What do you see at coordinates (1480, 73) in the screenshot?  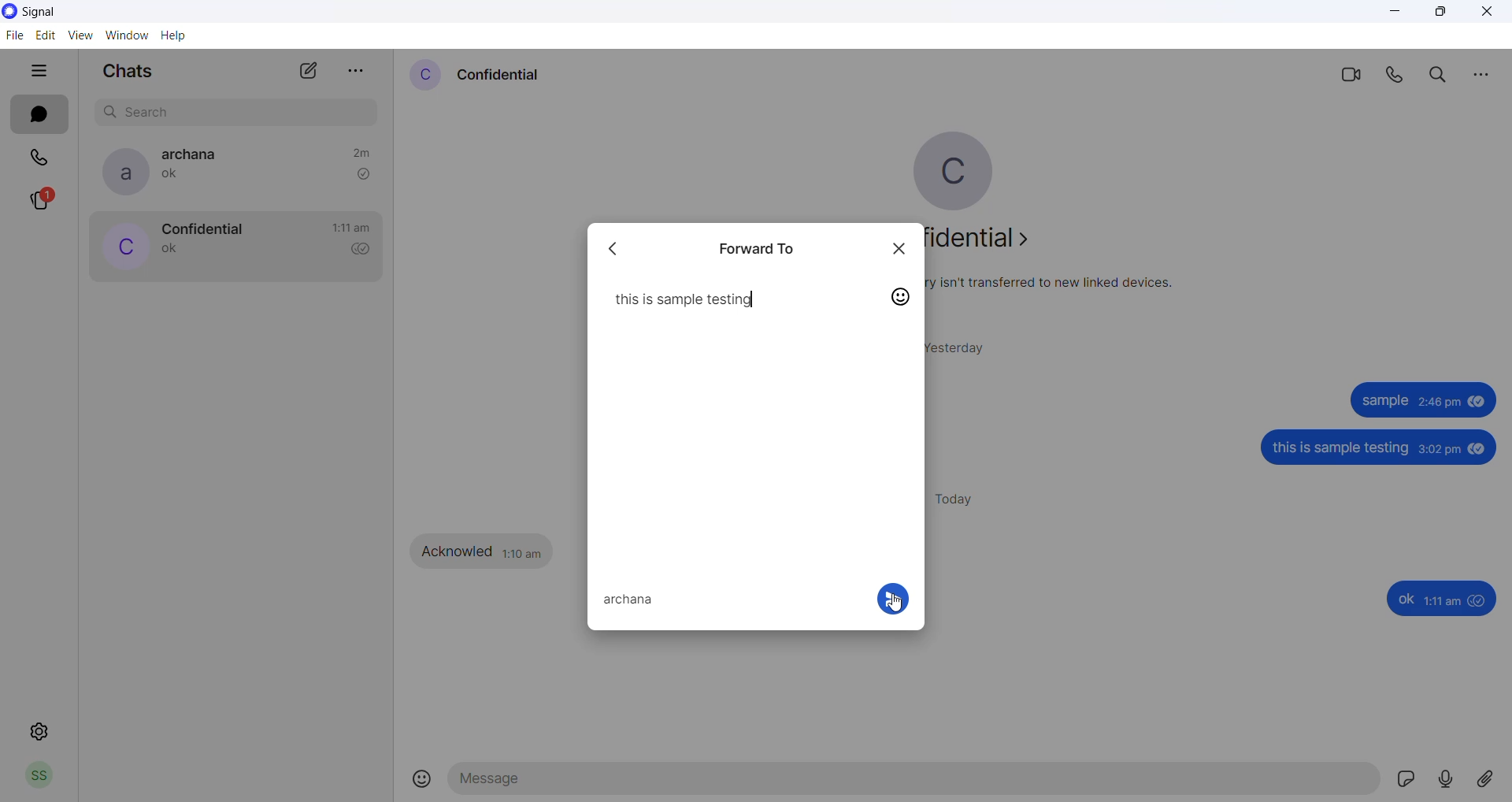 I see `more options` at bounding box center [1480, 73].